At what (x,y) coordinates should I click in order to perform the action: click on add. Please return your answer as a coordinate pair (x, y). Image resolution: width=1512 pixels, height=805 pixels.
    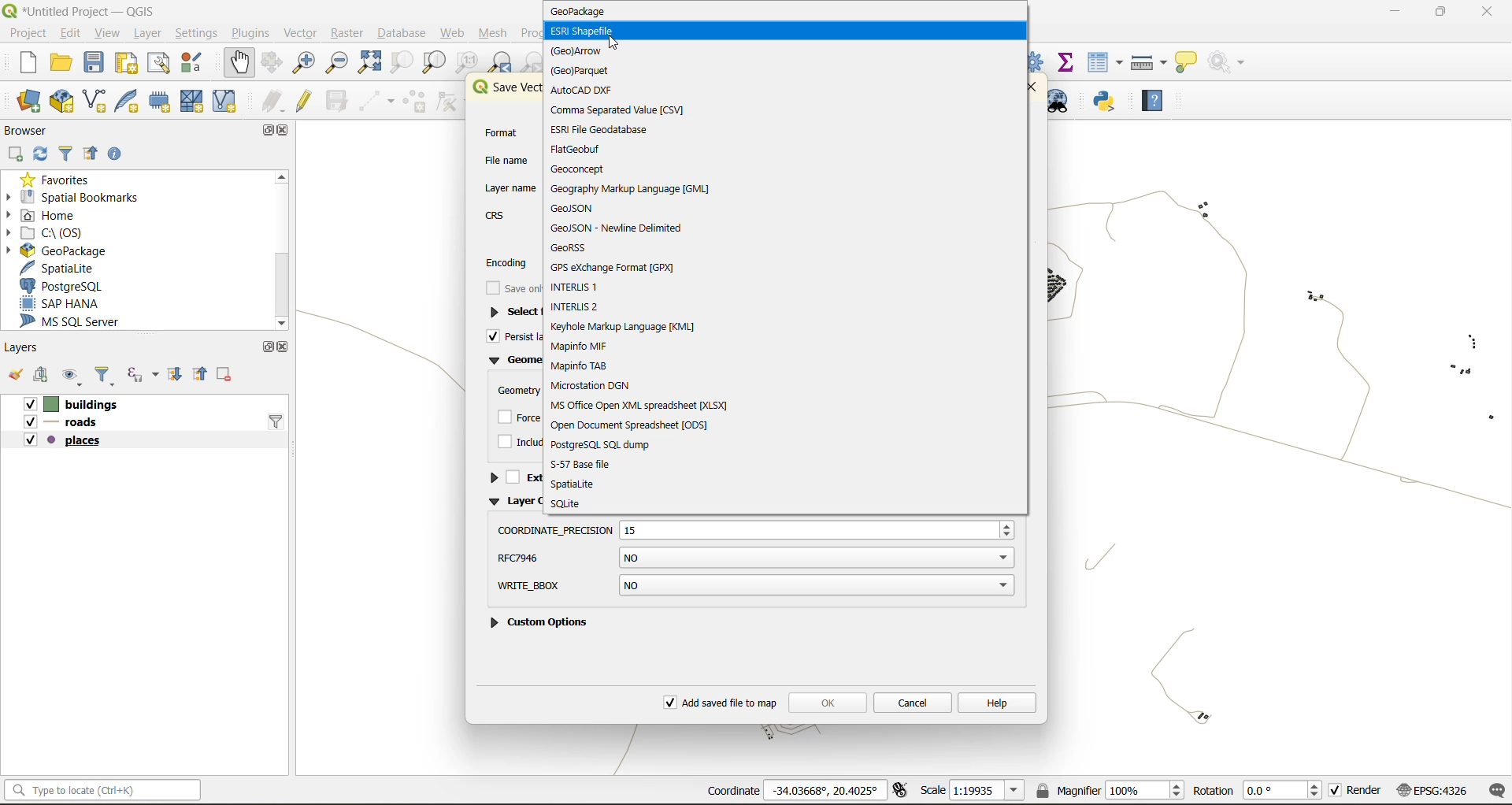
    Looking at the image, I should click on (18, 154).